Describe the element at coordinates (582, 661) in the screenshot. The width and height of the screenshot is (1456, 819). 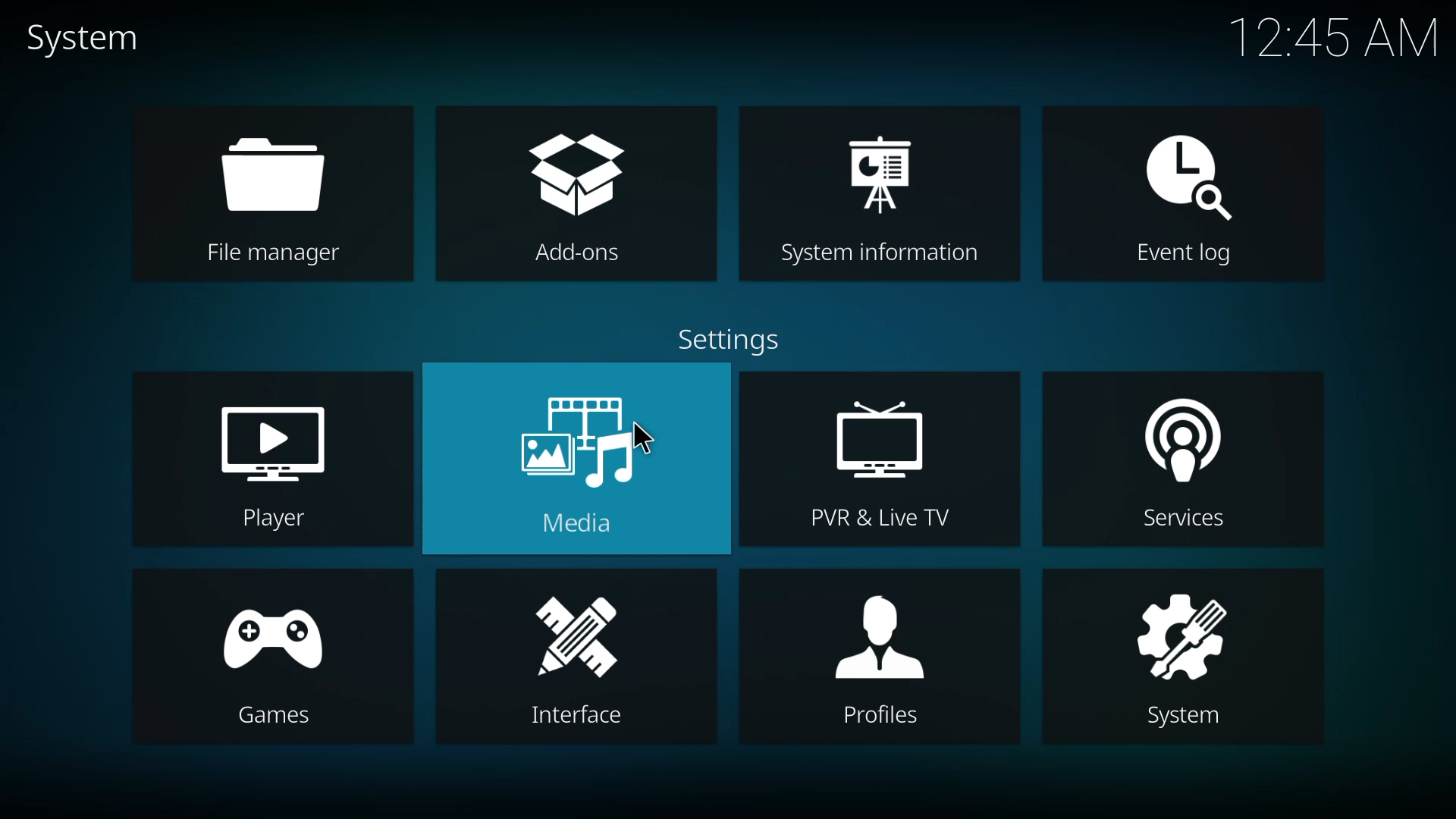
I see `interface` at that location.